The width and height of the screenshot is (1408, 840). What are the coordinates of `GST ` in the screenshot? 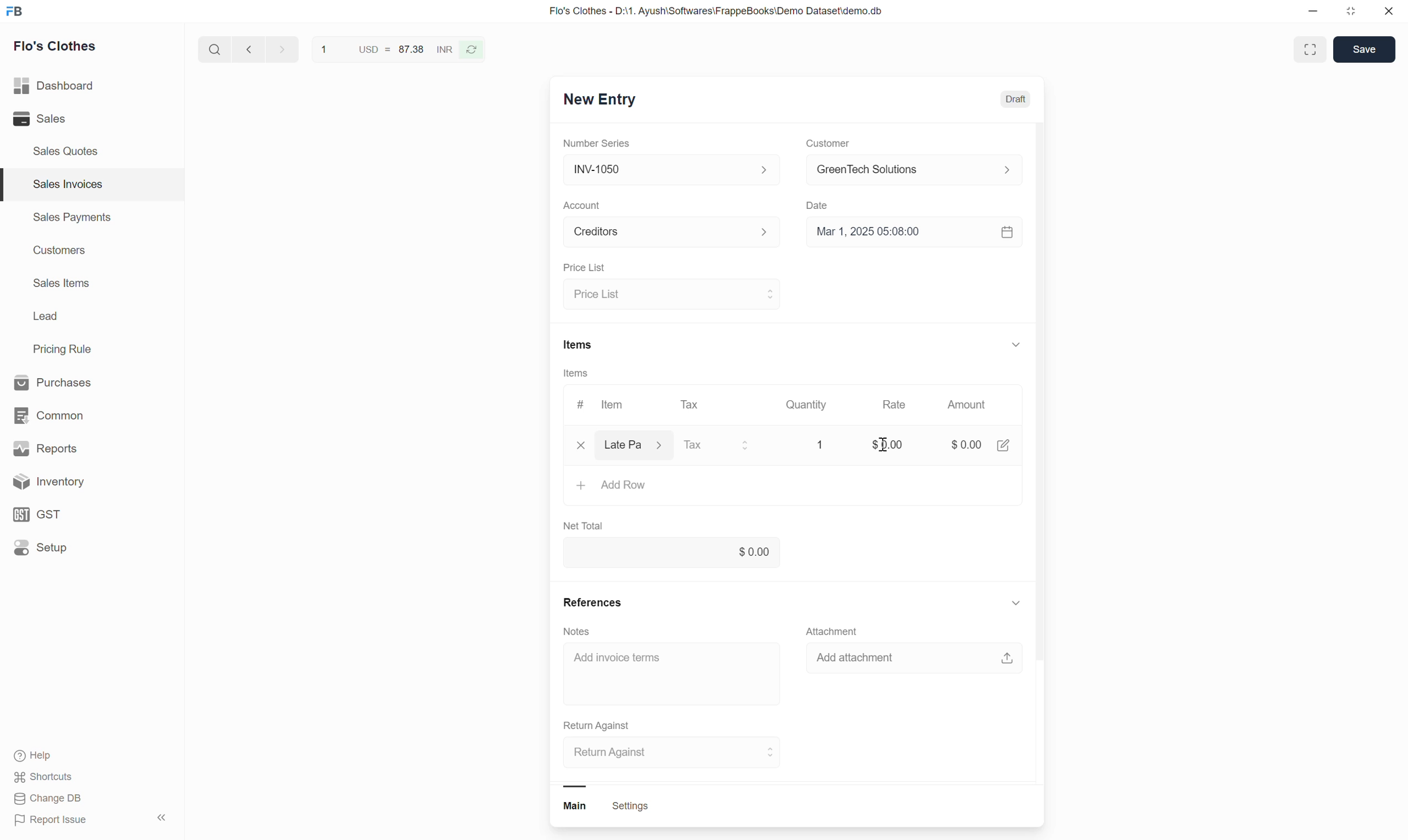 It's located at (79, 513).